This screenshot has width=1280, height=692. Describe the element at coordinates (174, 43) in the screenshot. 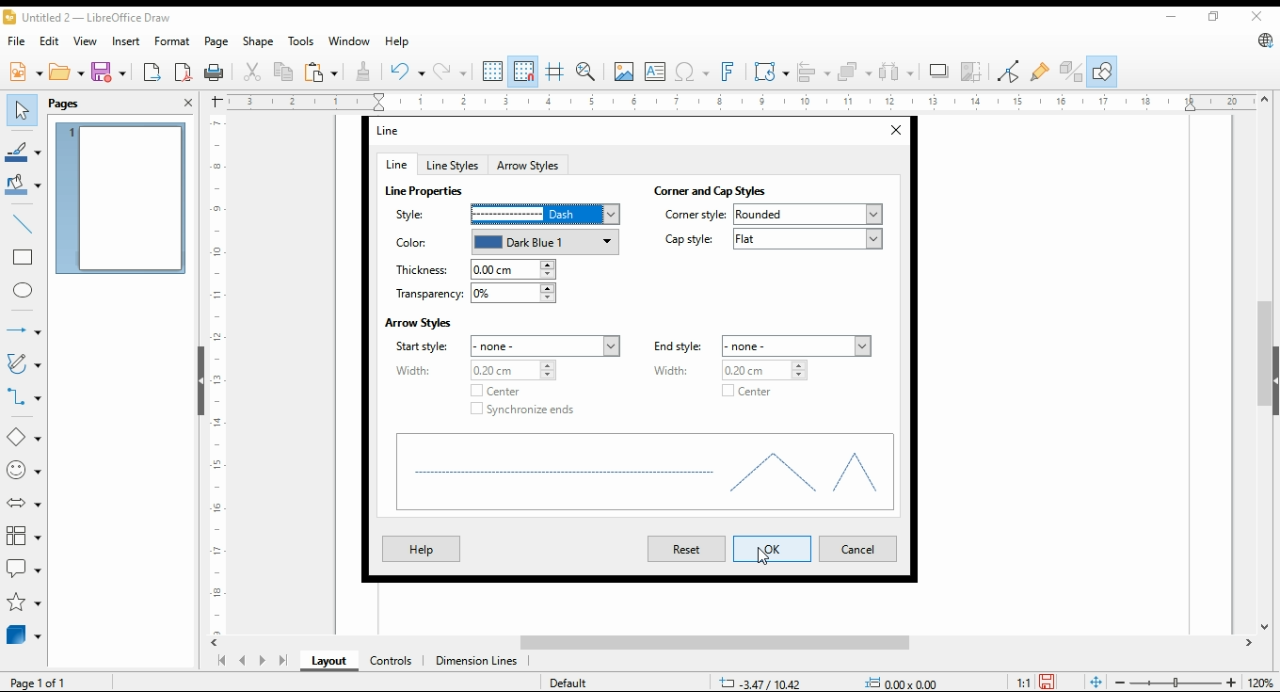

I see `format` at that location.